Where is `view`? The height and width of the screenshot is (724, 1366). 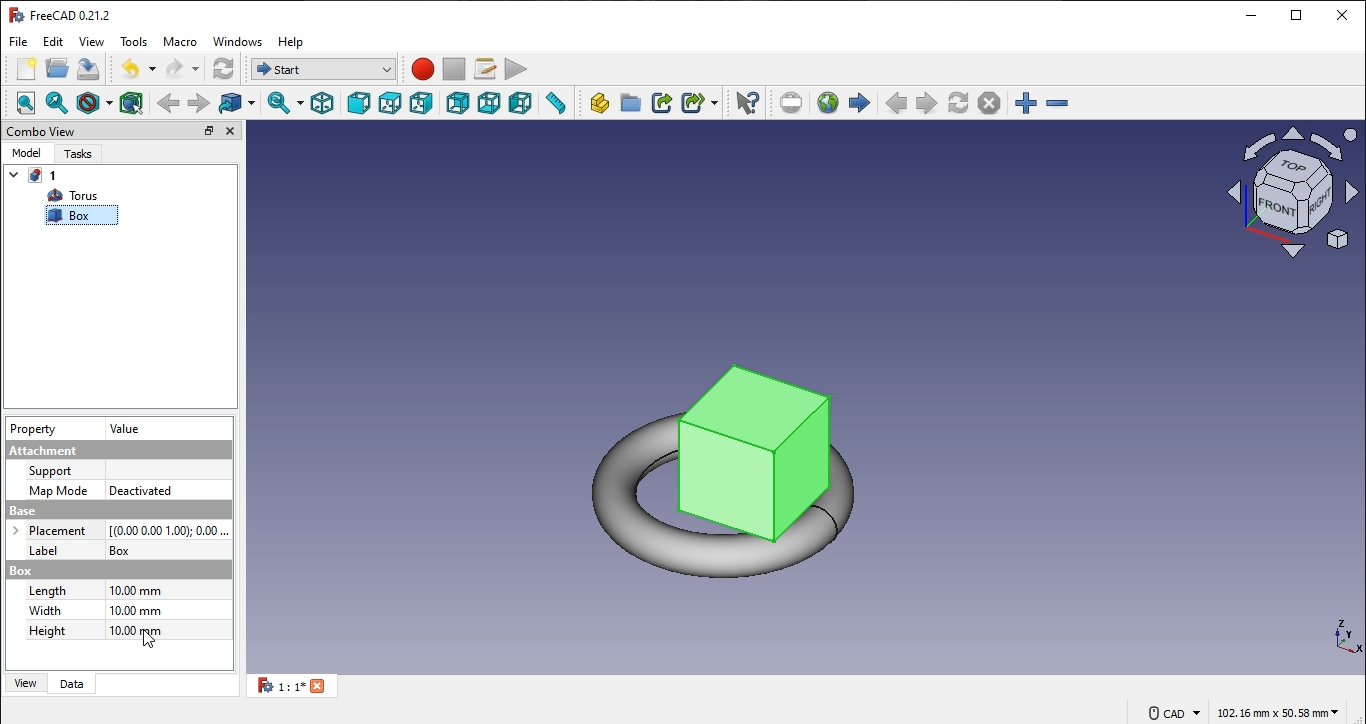 view is located at coordinates (92, 42).